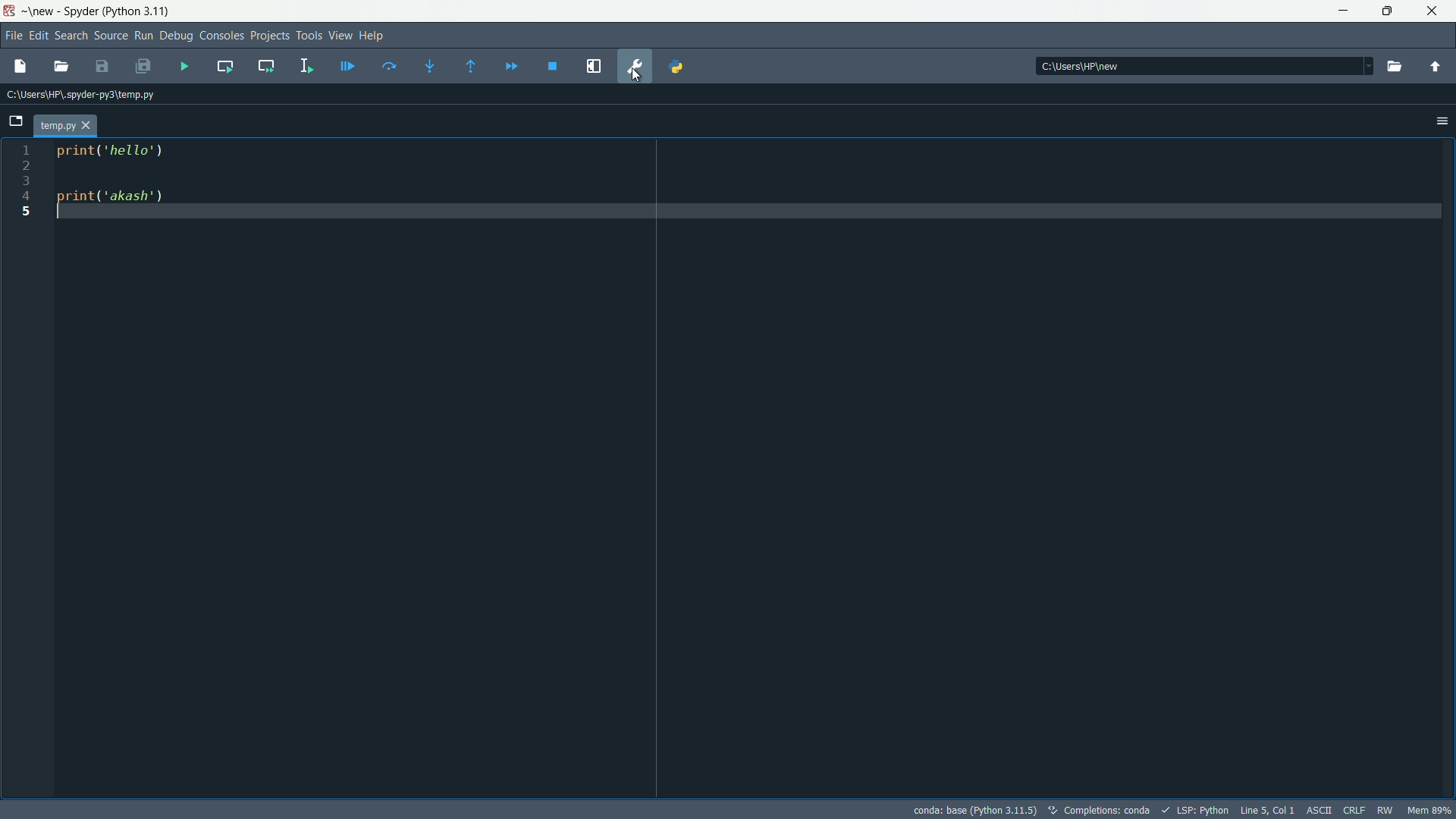 This screenshot has width=1456, height=819. Describe the element at coordinates (184, 67) in the screenshot. I see `debug file` at that location.